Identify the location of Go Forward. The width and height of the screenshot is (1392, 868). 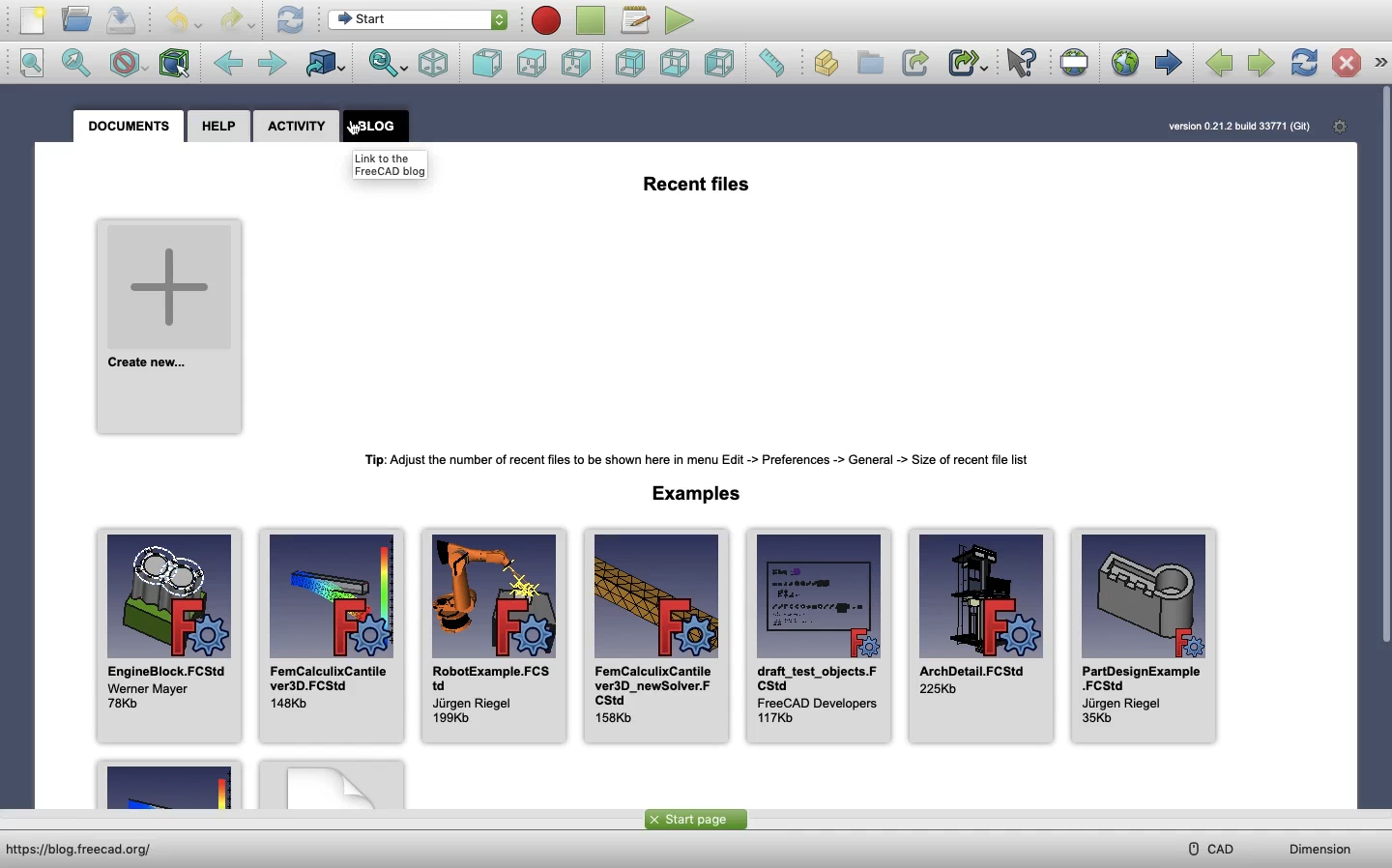
(269, 62).